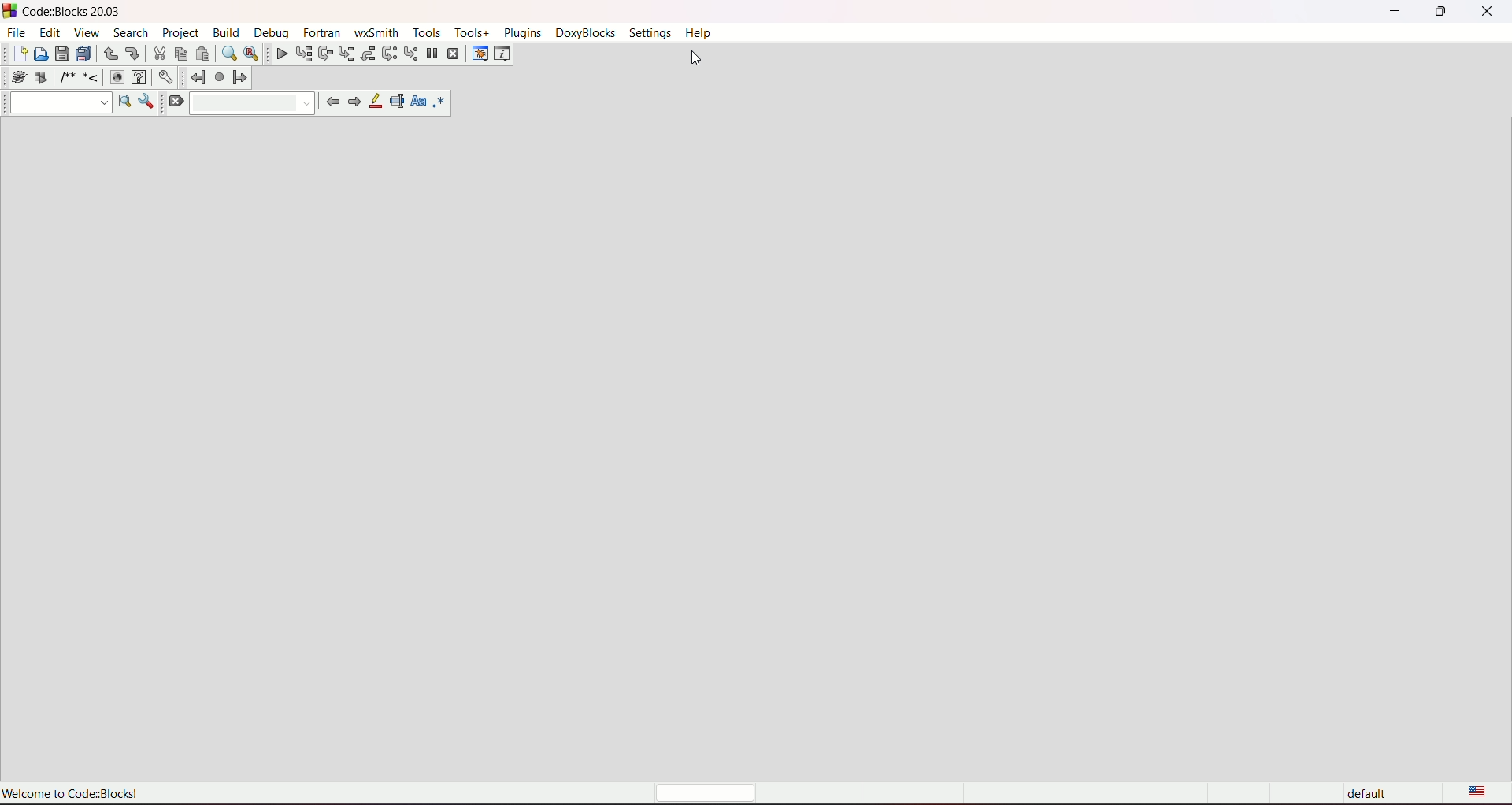 The image size is (1512, 805). What do you see at coordinates (1439, 12) in the screenshot?
I see `minimize/maximize` at bounding box center [1439, 12].